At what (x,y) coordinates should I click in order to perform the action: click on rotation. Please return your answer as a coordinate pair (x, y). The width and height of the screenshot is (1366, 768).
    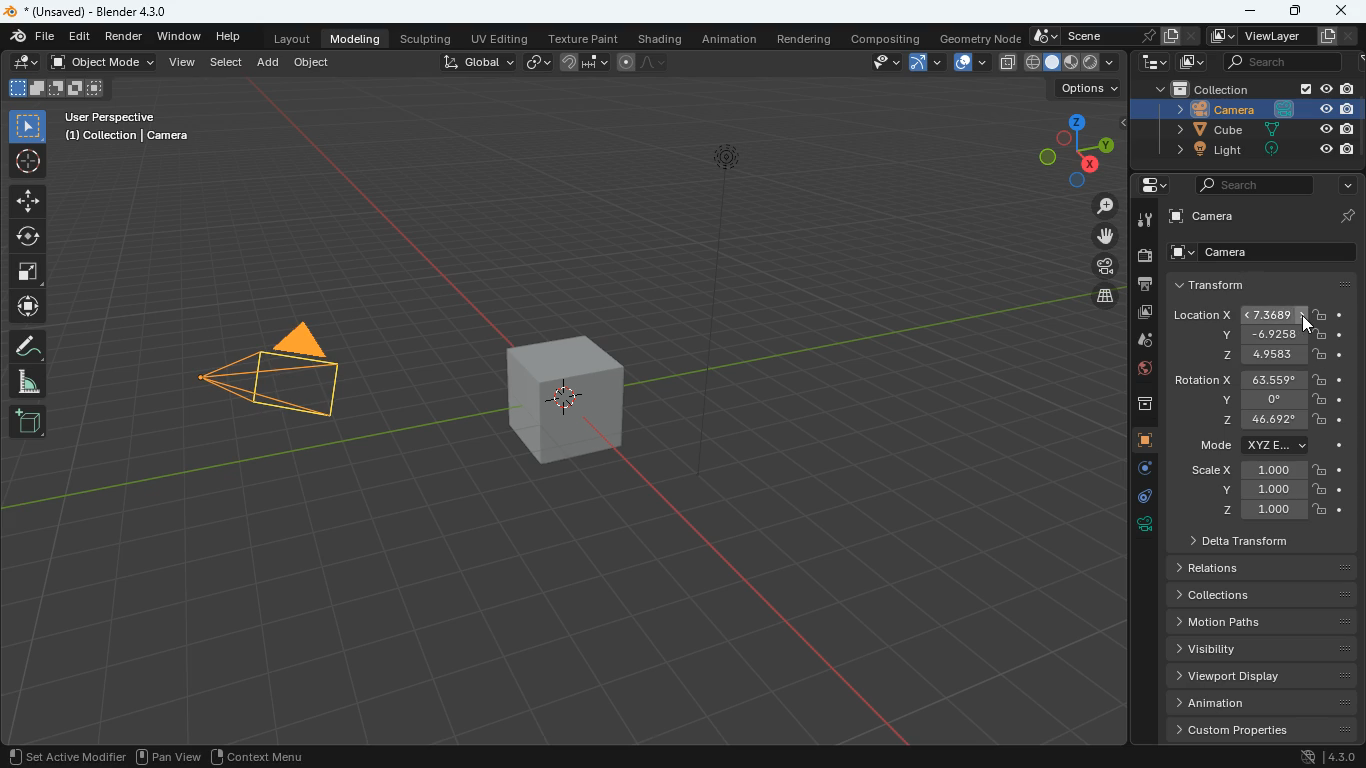
    Looking at the image, I should click on (1141, 526).